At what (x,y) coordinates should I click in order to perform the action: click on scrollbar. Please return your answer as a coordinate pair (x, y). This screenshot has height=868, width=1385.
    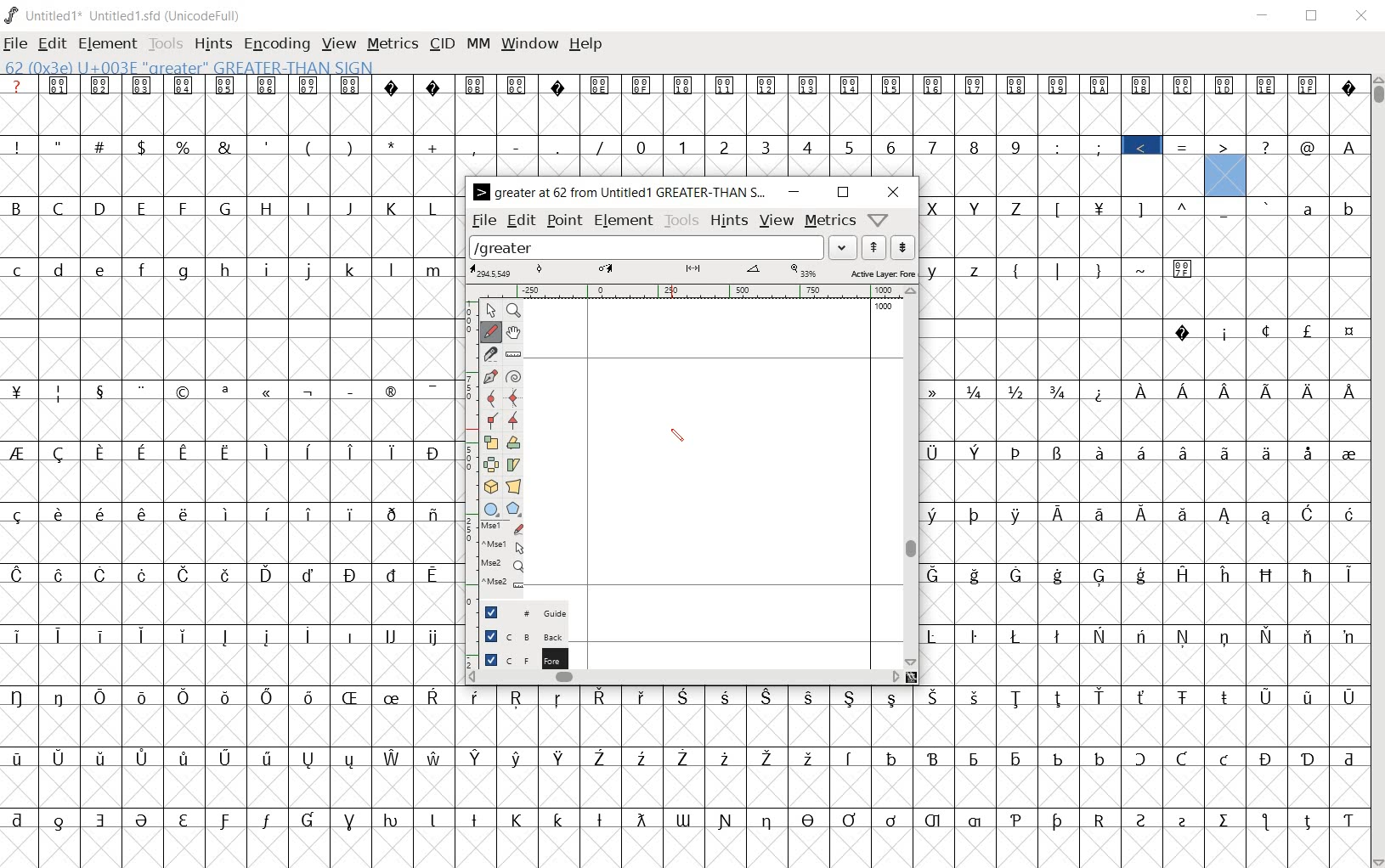
    Looking at the image, I should click on (1377, 471).